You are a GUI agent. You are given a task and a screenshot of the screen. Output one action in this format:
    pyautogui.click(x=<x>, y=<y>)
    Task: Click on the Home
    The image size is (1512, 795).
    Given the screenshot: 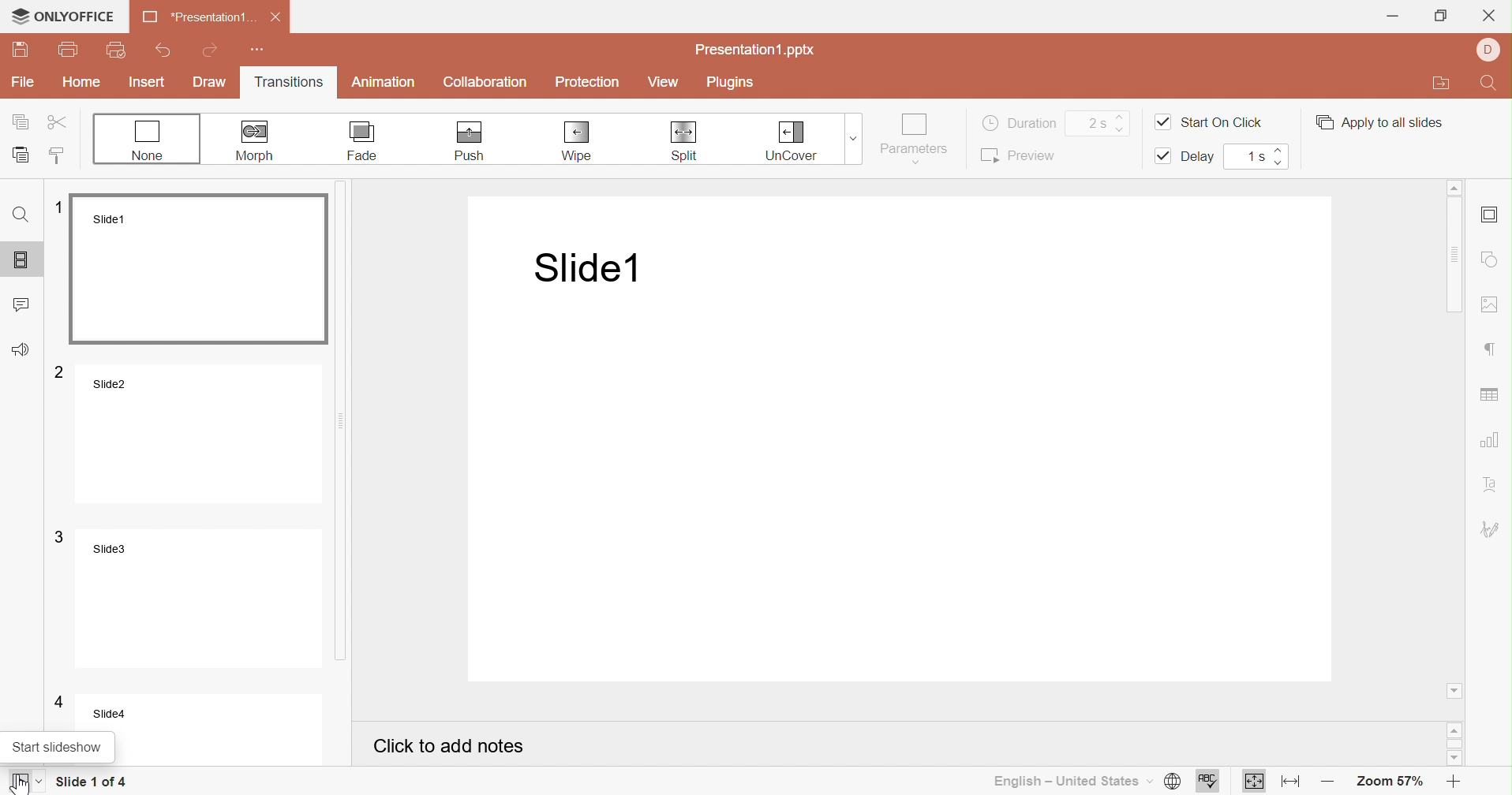 What is the action you would take?
    pyautogui.click(x=80, y=81)
    